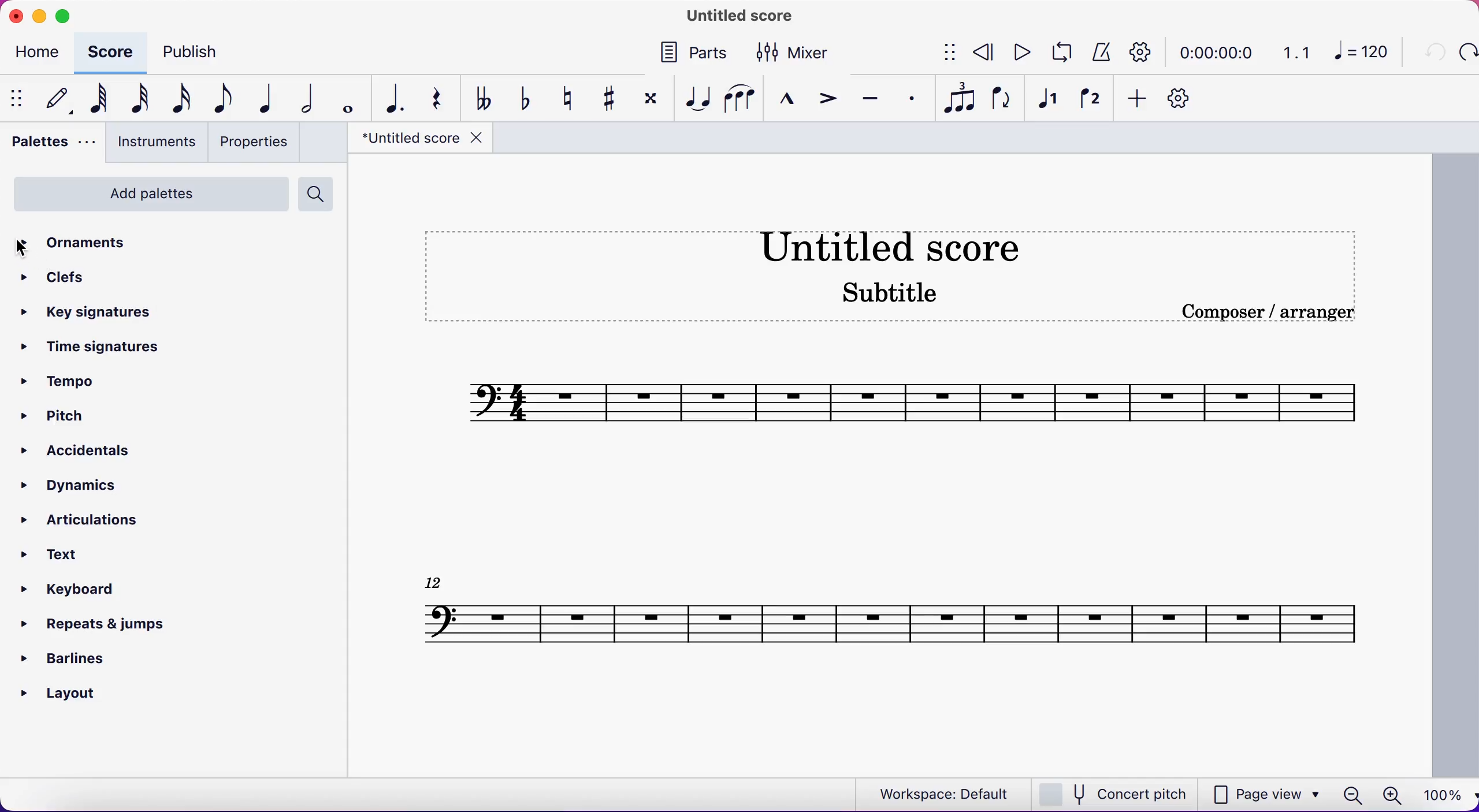  Describe the element at coordinates (436, 98) in the screenshot. I see `rest` at that location.